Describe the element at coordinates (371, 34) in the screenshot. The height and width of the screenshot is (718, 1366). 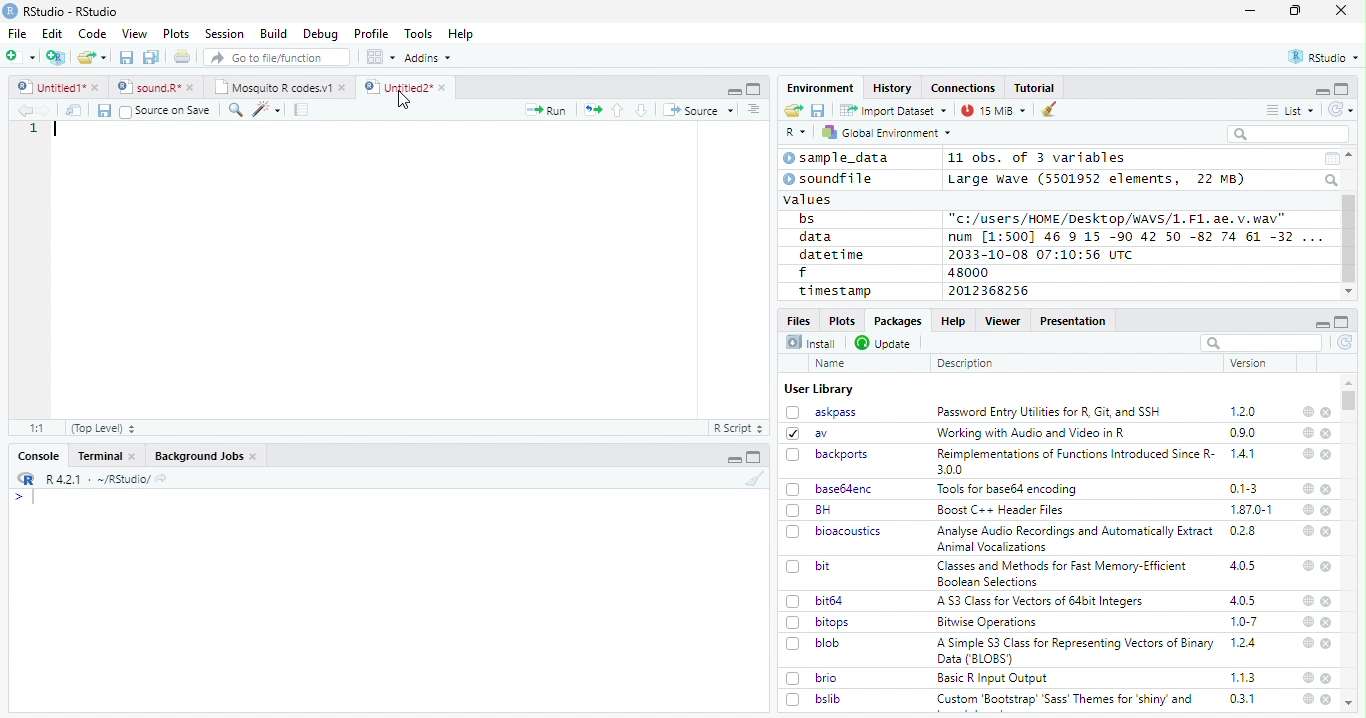
I see `Profile` at that location.